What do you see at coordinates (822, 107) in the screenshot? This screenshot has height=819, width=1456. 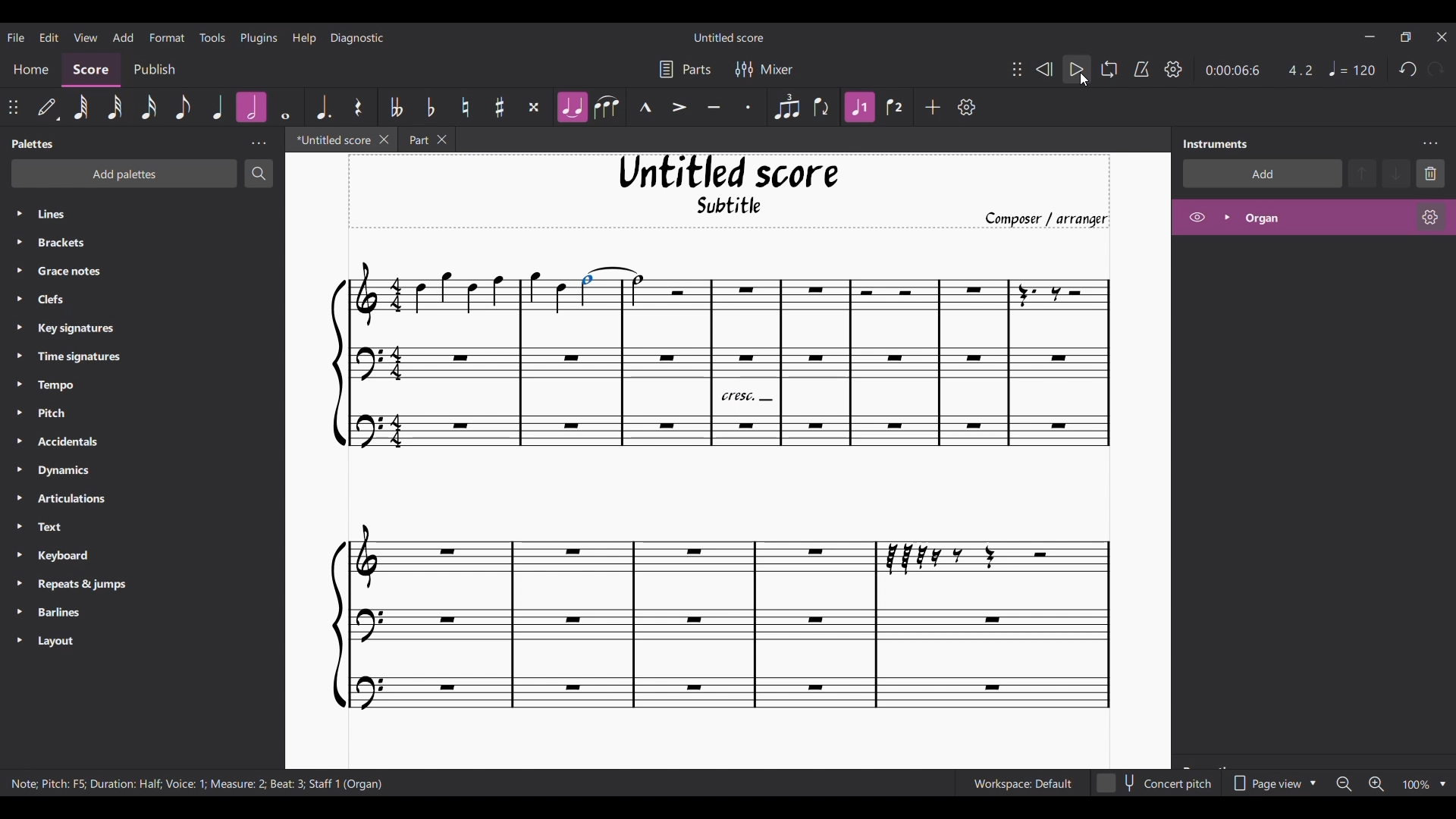 I see `Flip direction` at bounding box center [822, 107].